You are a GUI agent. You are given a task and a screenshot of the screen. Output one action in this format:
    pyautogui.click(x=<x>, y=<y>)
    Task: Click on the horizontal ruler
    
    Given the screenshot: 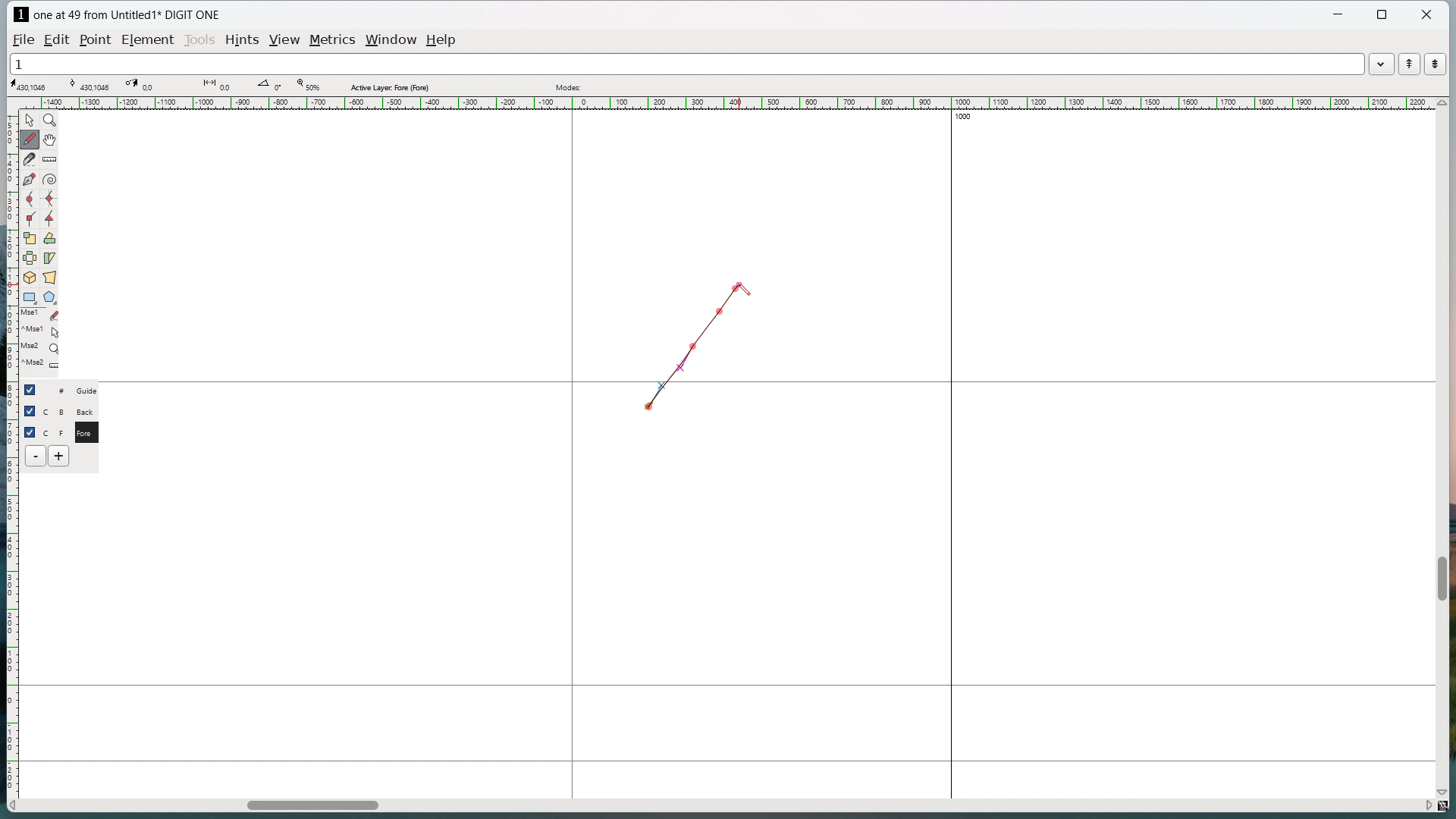 What is the action you would take?
    pyautogui.click(x=725, y=102)
    